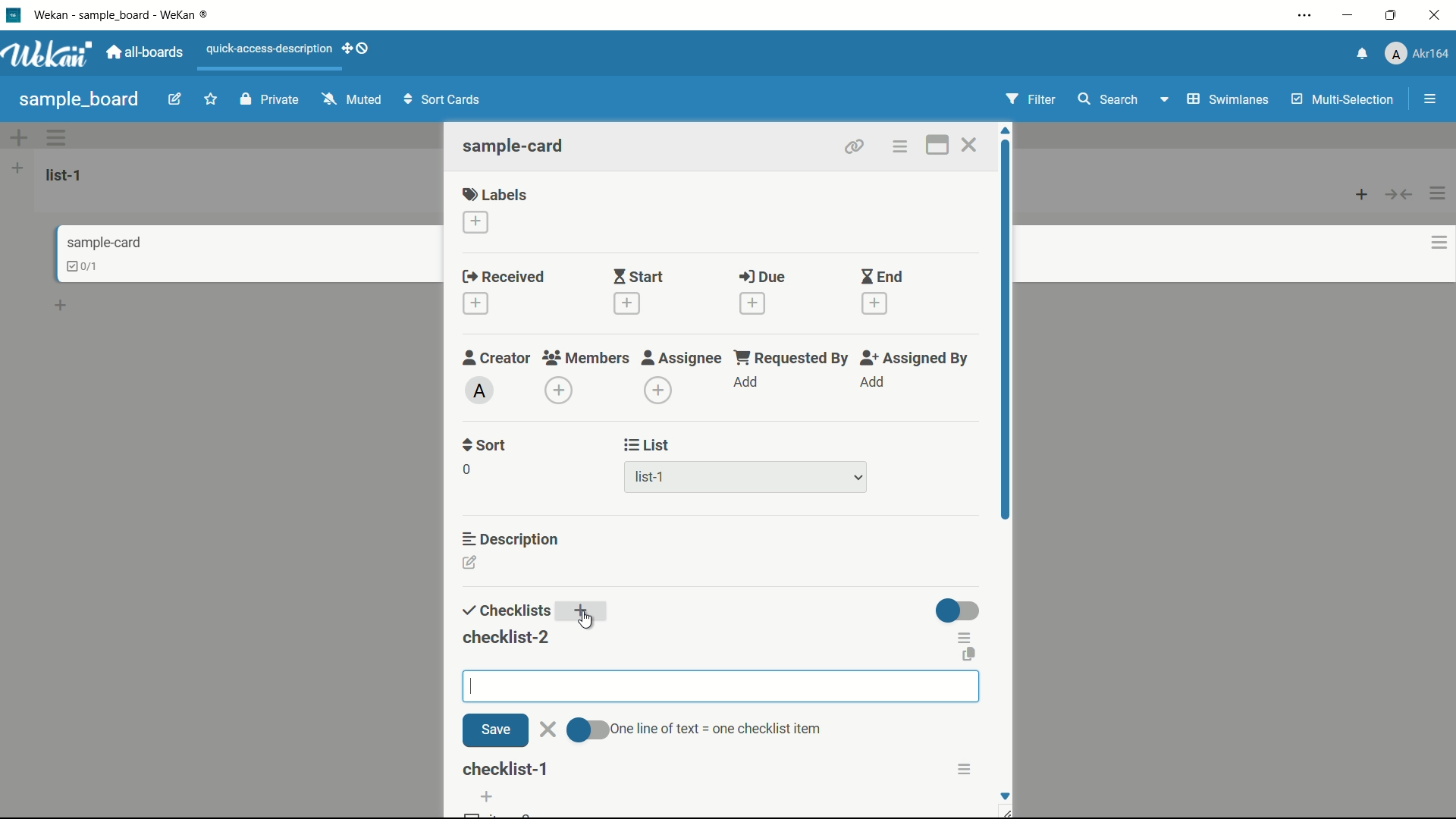 This screenshot has width=1456, height=819. What do you see at coordinates (1307, 17) in the screenshot?
I see `settings and more` at bounding box center [1307, 17].